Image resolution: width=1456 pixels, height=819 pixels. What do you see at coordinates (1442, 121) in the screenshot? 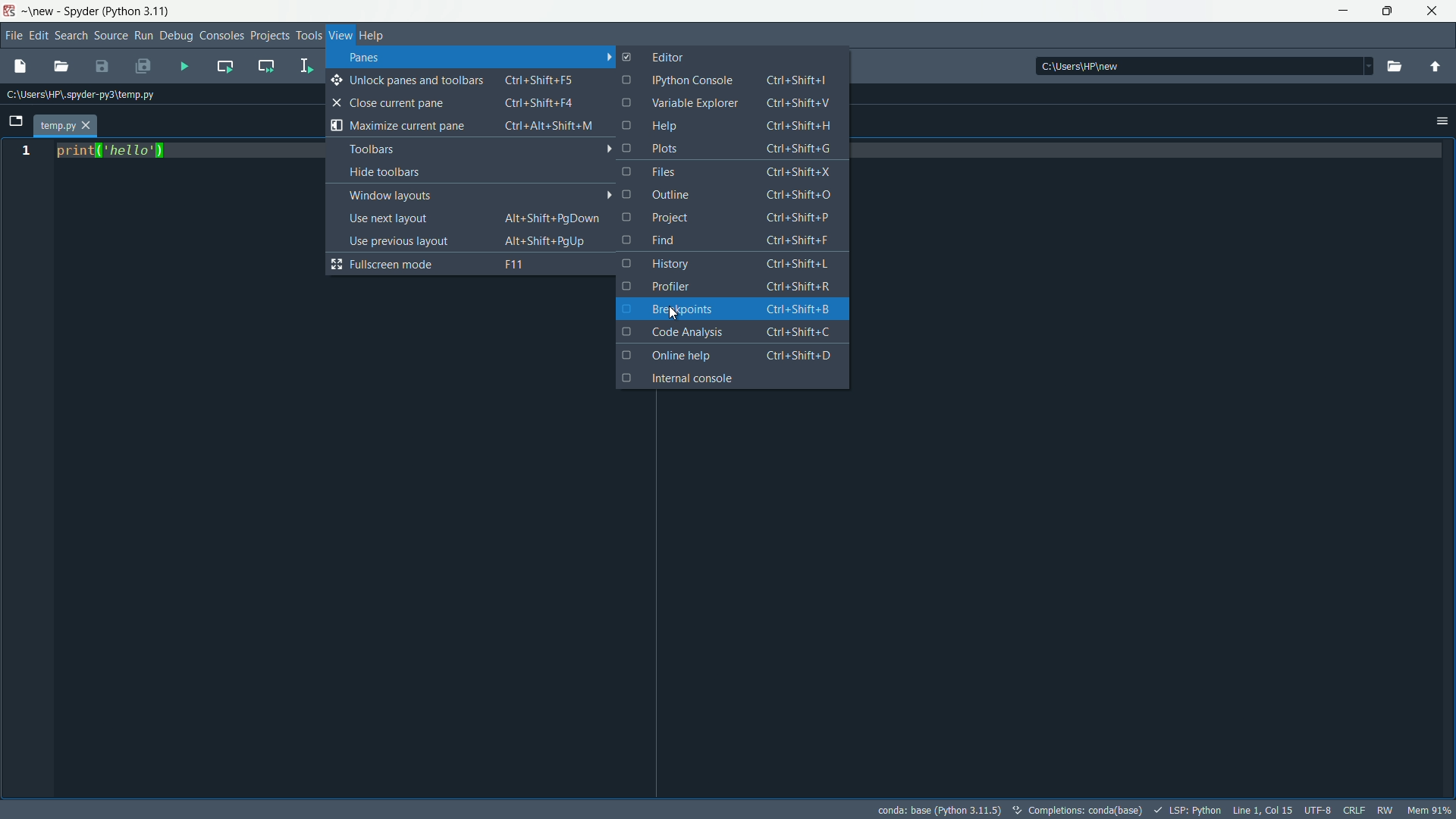
I see `options` at bounding box center [1442, 121].